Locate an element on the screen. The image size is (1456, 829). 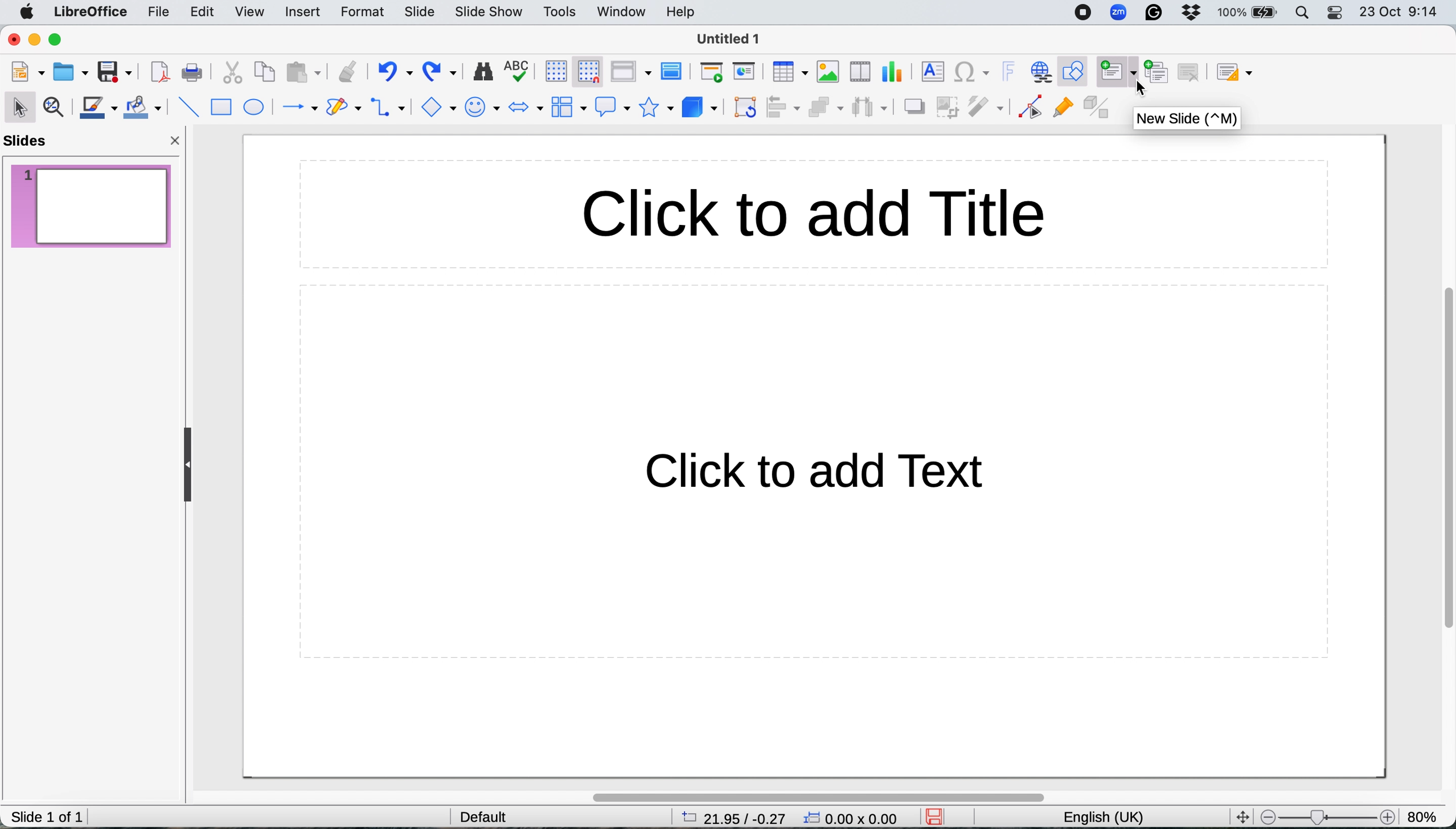
callout shapes is located at coordinates (613, 107).